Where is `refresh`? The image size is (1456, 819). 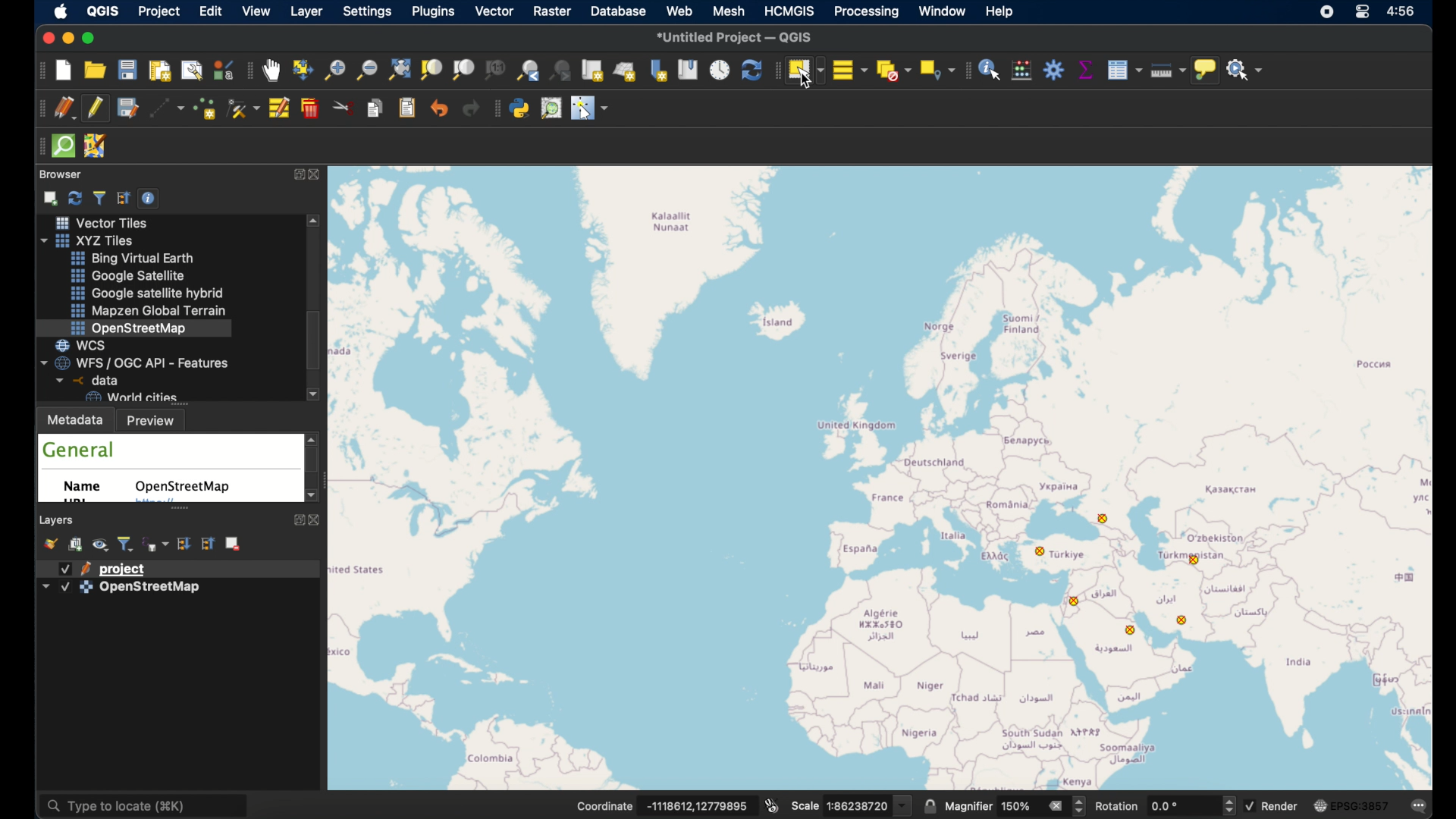 refresh is located at coordinates (74, 196).